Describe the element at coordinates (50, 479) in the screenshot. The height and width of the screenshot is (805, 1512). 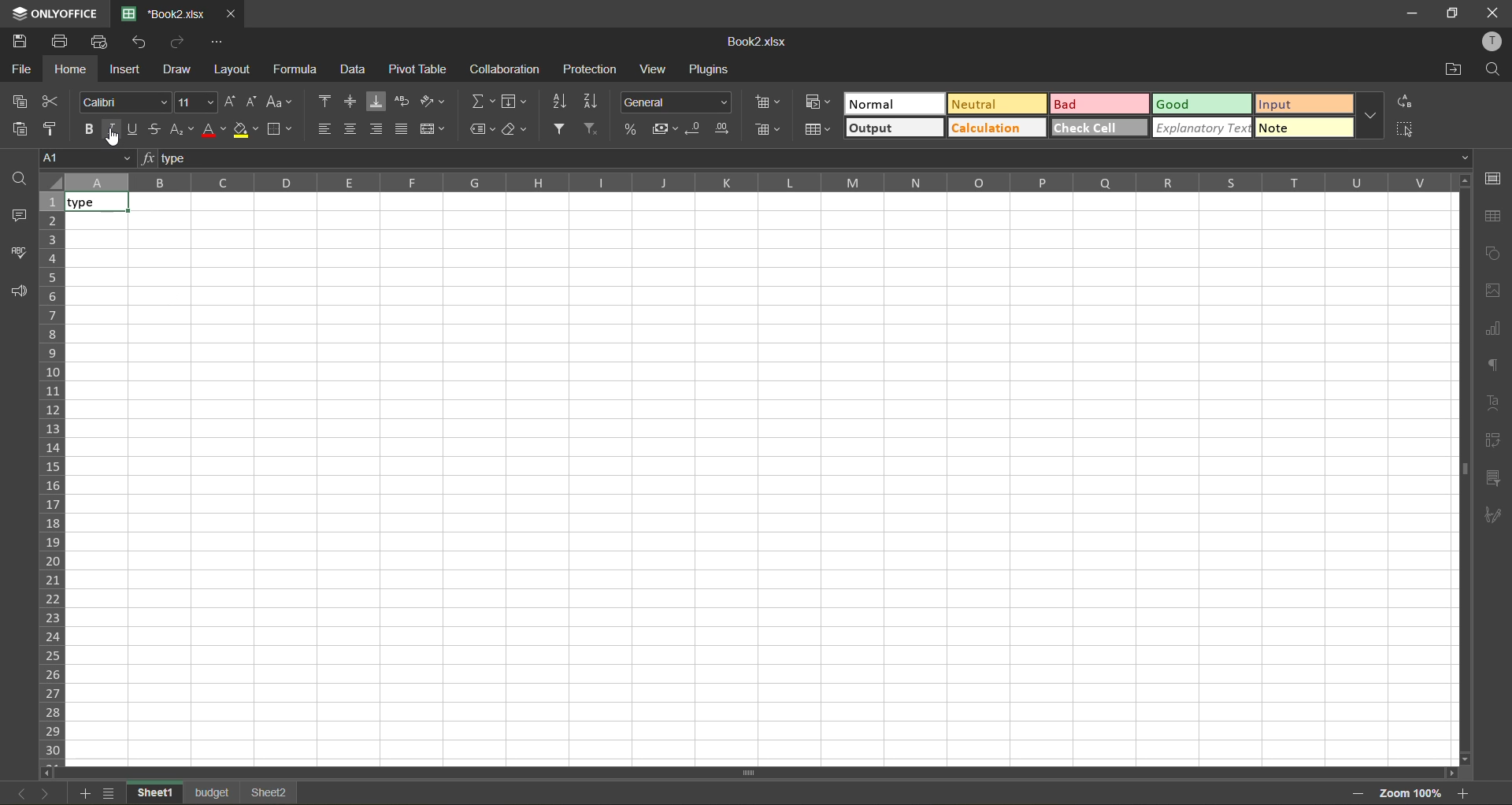
I see `row numbers` at that location.